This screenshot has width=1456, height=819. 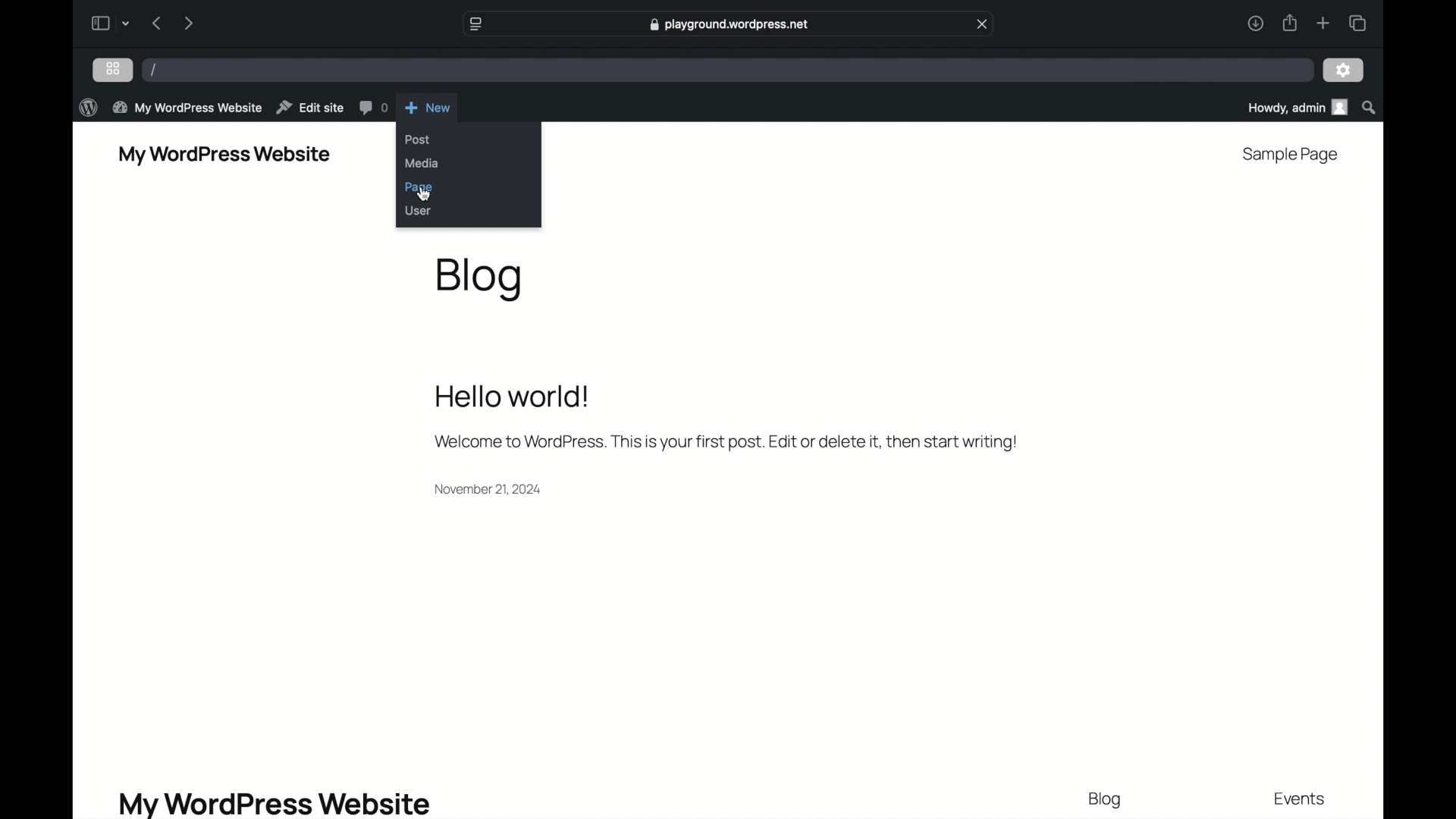 I want to click on media, so click(x=422, y=163).